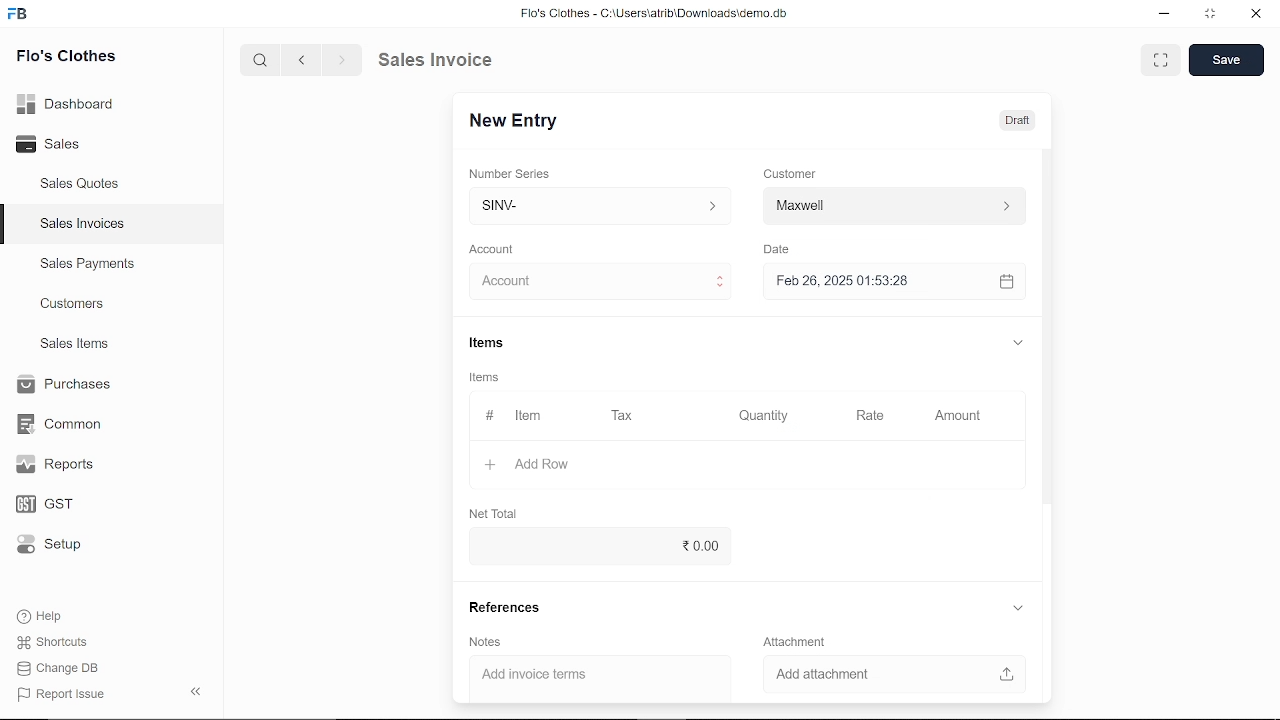 The image size is (1280, 720). What do you see at coordinates (1226, 60) in the screenshot?
I see `save` at bounding box center [1226, 60].